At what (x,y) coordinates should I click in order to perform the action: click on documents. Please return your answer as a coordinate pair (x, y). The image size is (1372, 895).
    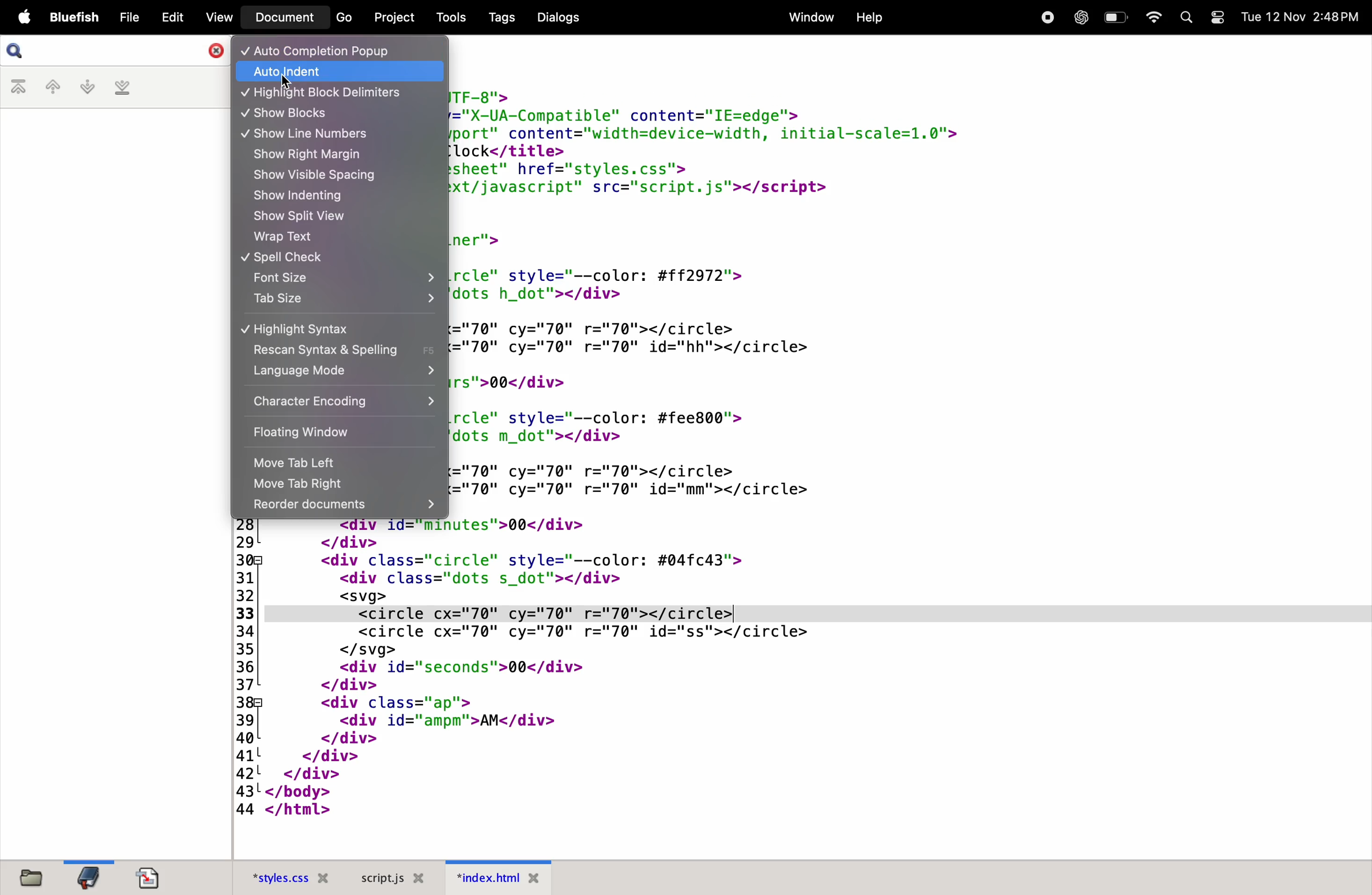
    Looking at the image, I should click on (154, 876).